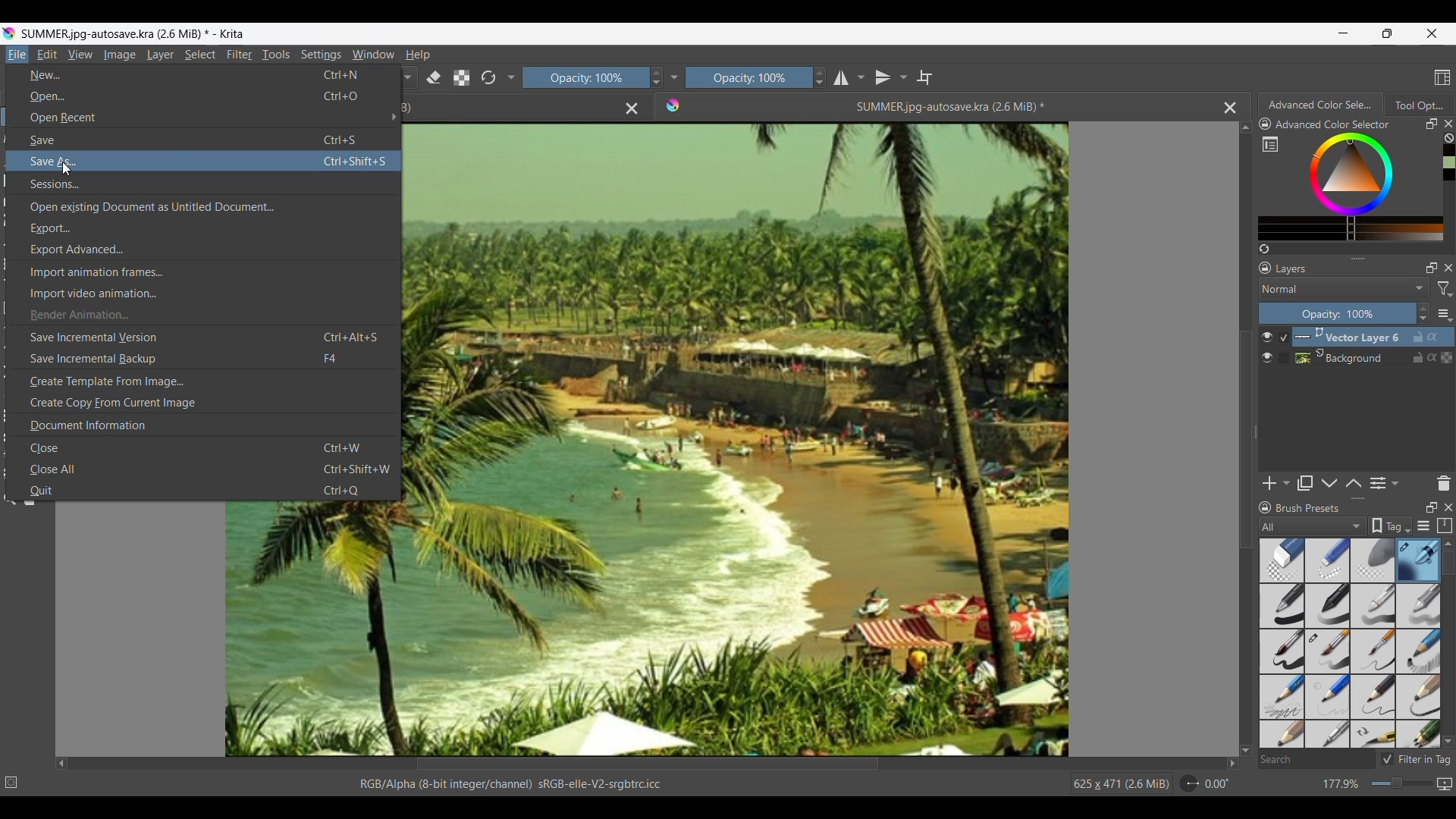  What do you see at coordinates (1451, 163) in the screenshot?
I see `Color history` at bounding box center [1451, 163].